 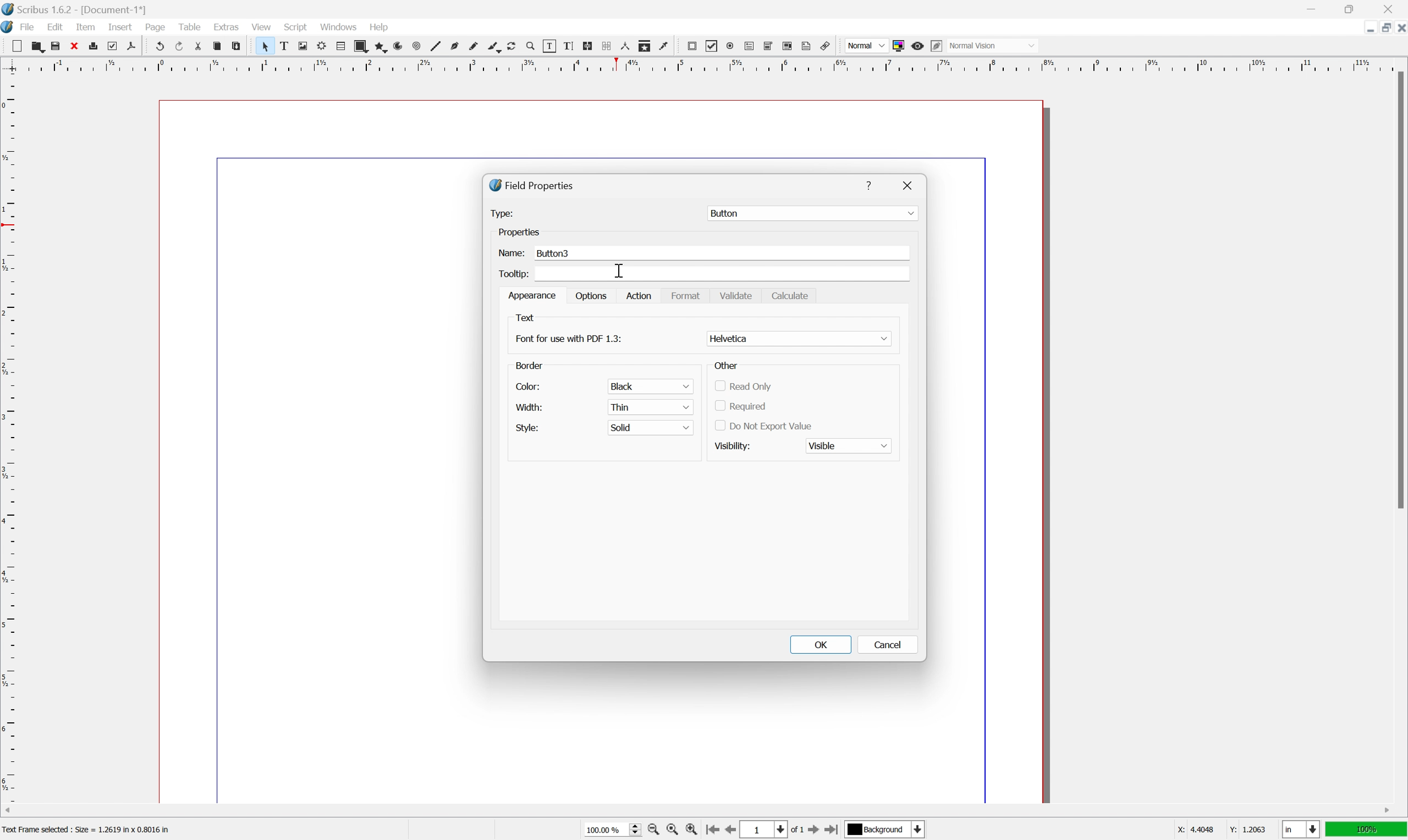 I want to click on cut, so click(x=198, y=45).